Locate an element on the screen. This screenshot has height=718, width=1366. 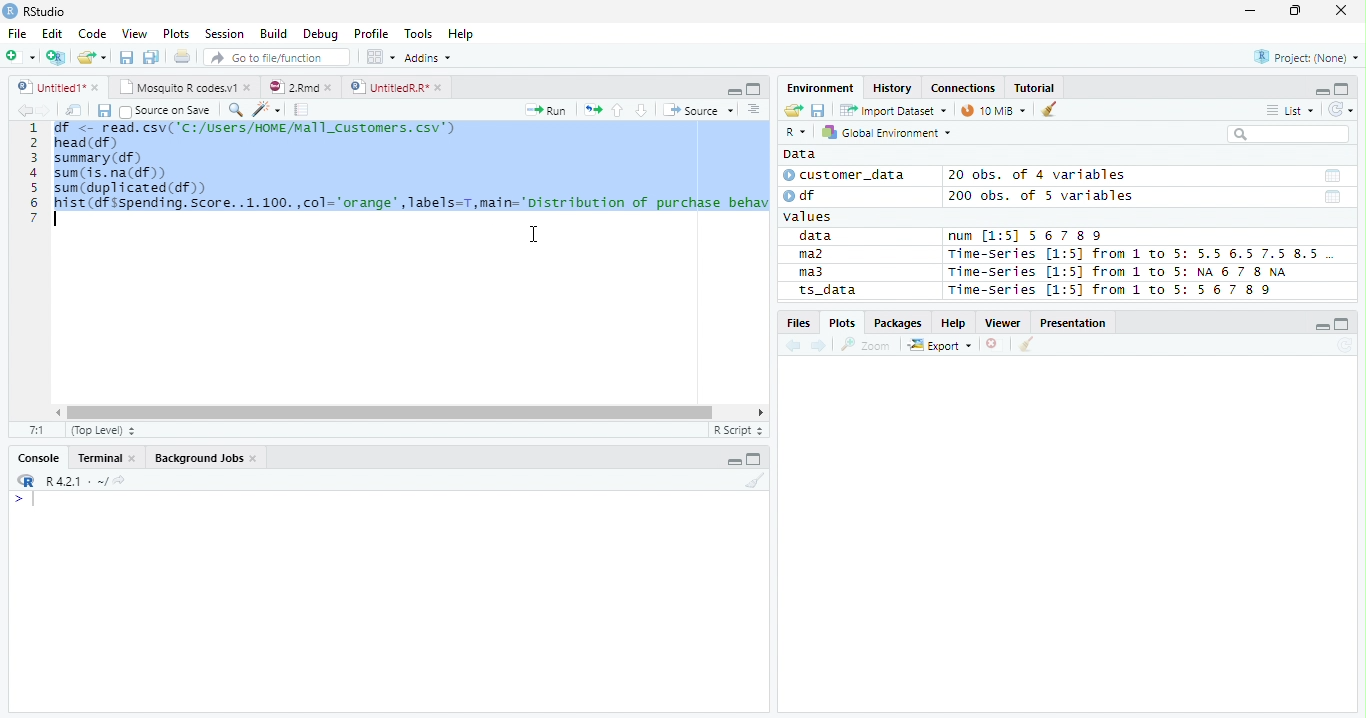
Addins is located at coordinates (430, 57).